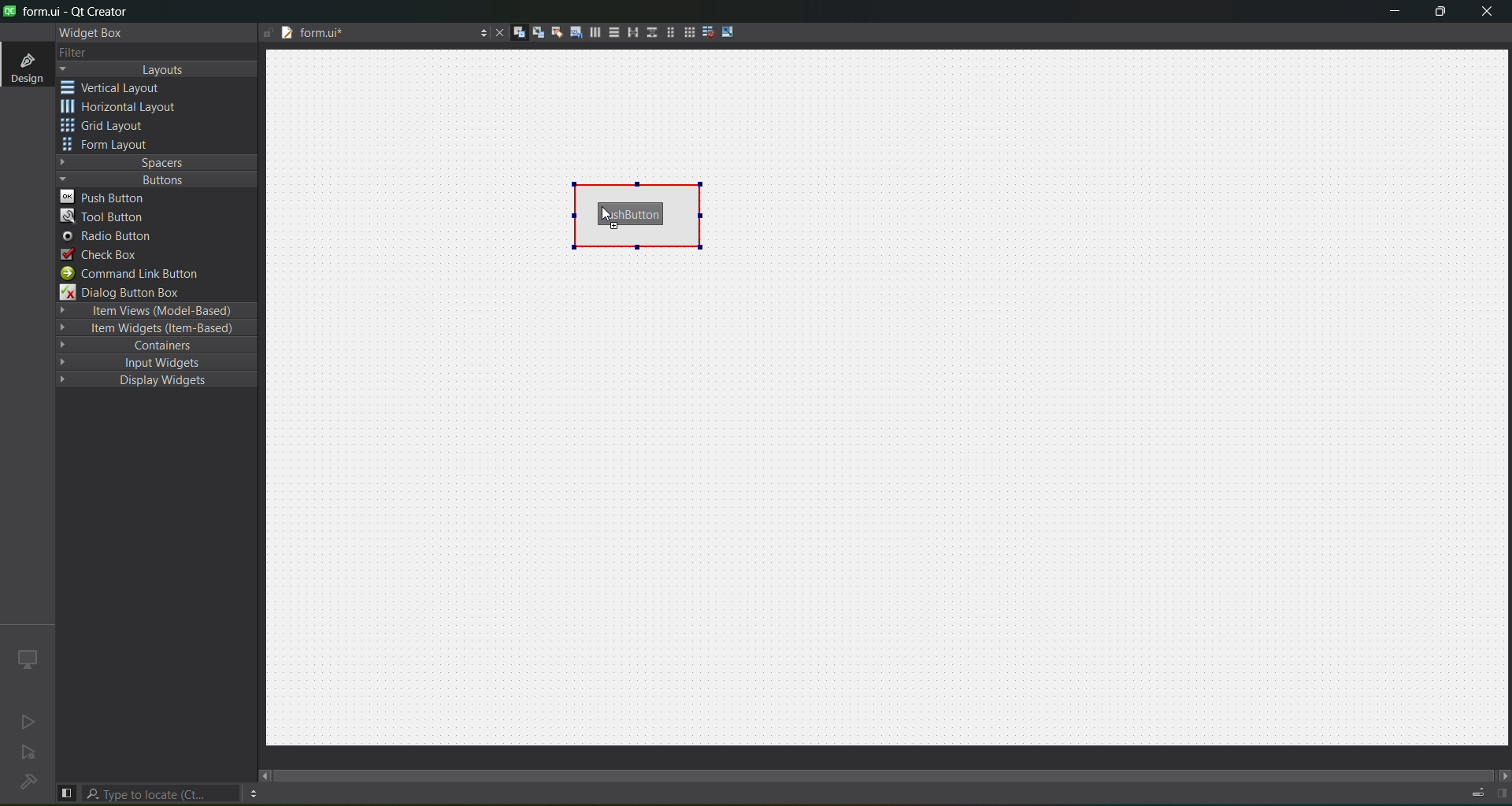 The height and width of the screenshot is (806, 1512). What do you see at coordinates (101, 254) in the screenshot?
I see `check box` at bounding box center [101, 254].